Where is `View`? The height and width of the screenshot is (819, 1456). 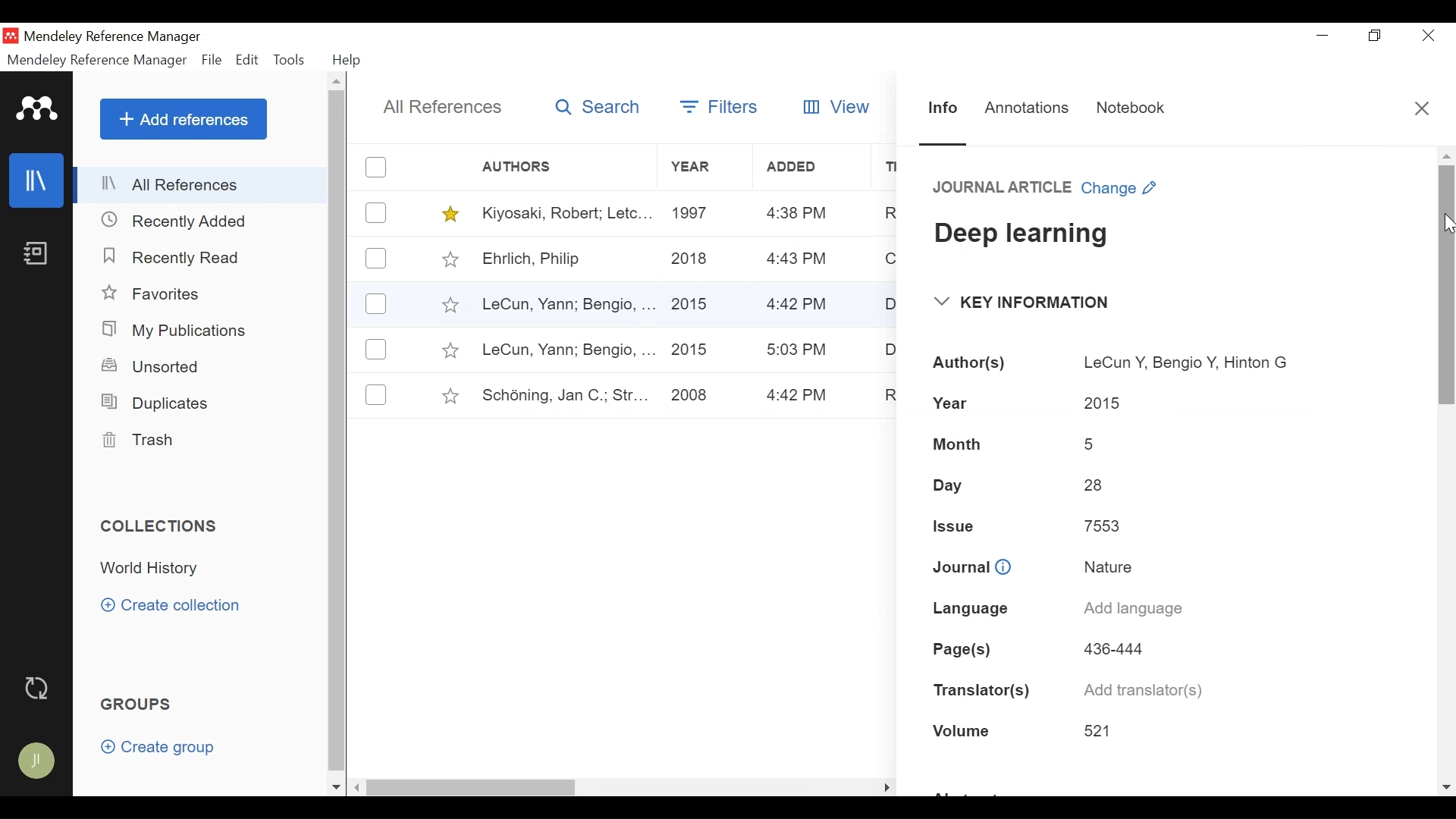
View is located at coordinates (833, 107).